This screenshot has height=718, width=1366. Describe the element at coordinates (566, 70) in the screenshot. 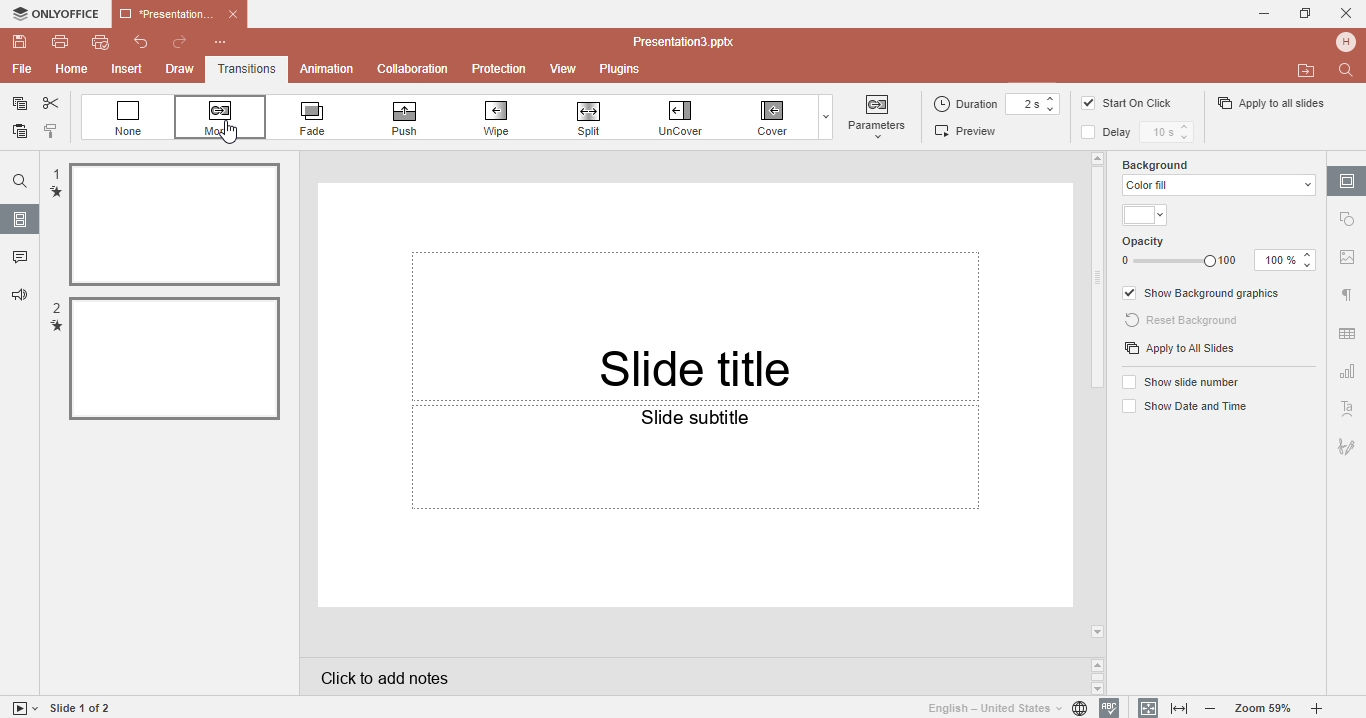

I see `View` at that location.